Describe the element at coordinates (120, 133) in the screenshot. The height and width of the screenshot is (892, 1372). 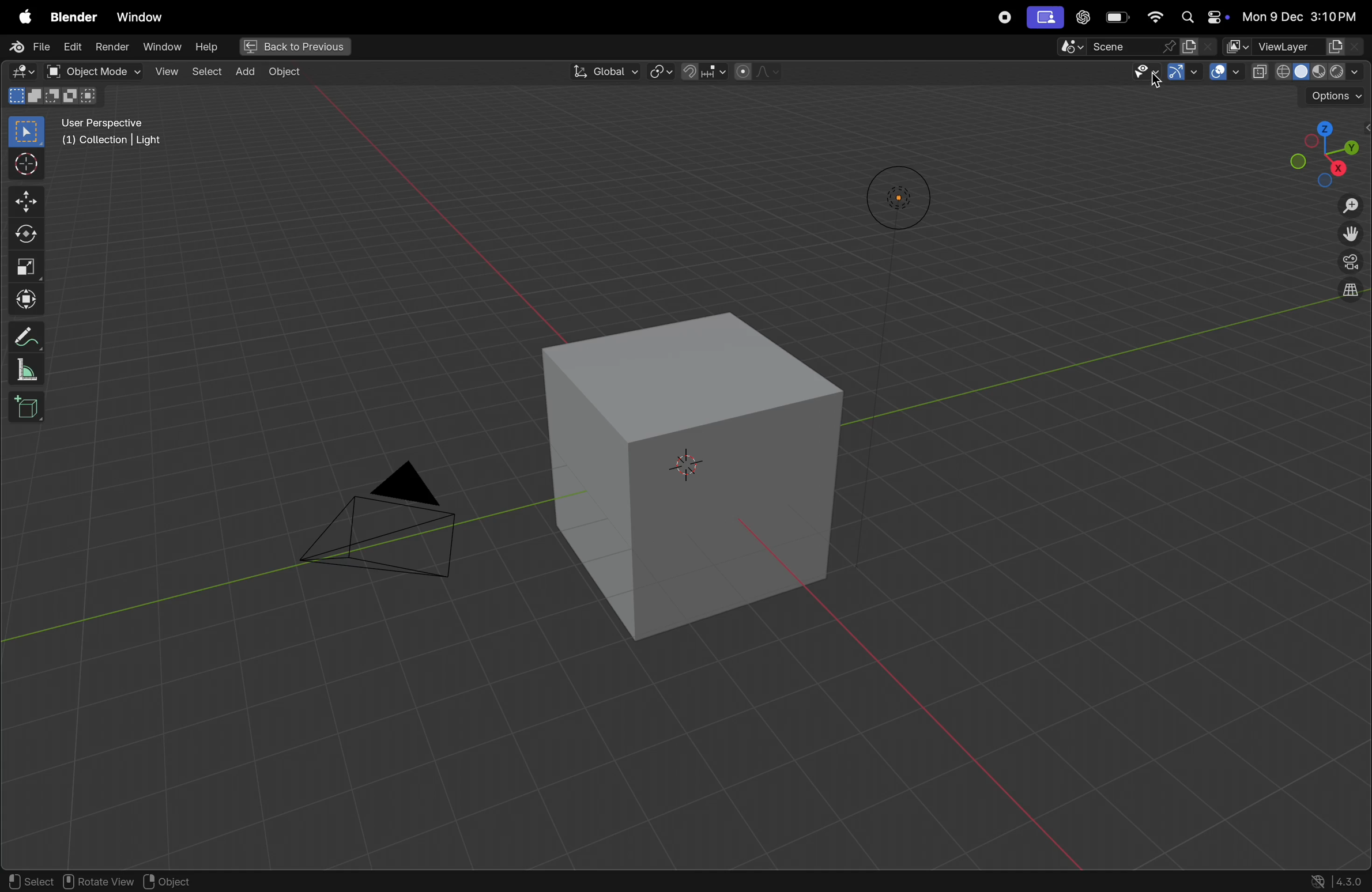
I see `user perspective` at that location.